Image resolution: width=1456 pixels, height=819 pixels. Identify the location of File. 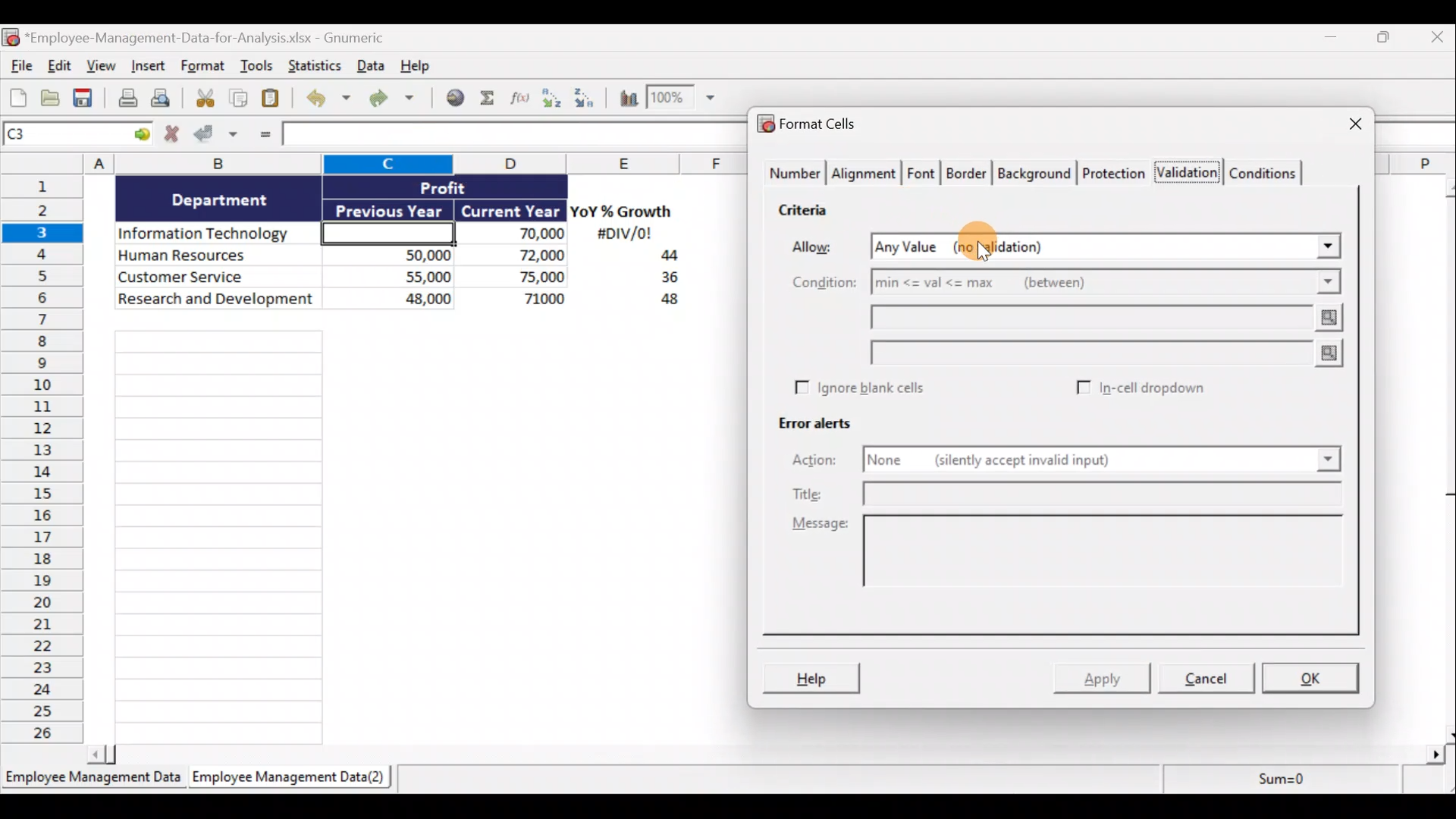
(18, 67).